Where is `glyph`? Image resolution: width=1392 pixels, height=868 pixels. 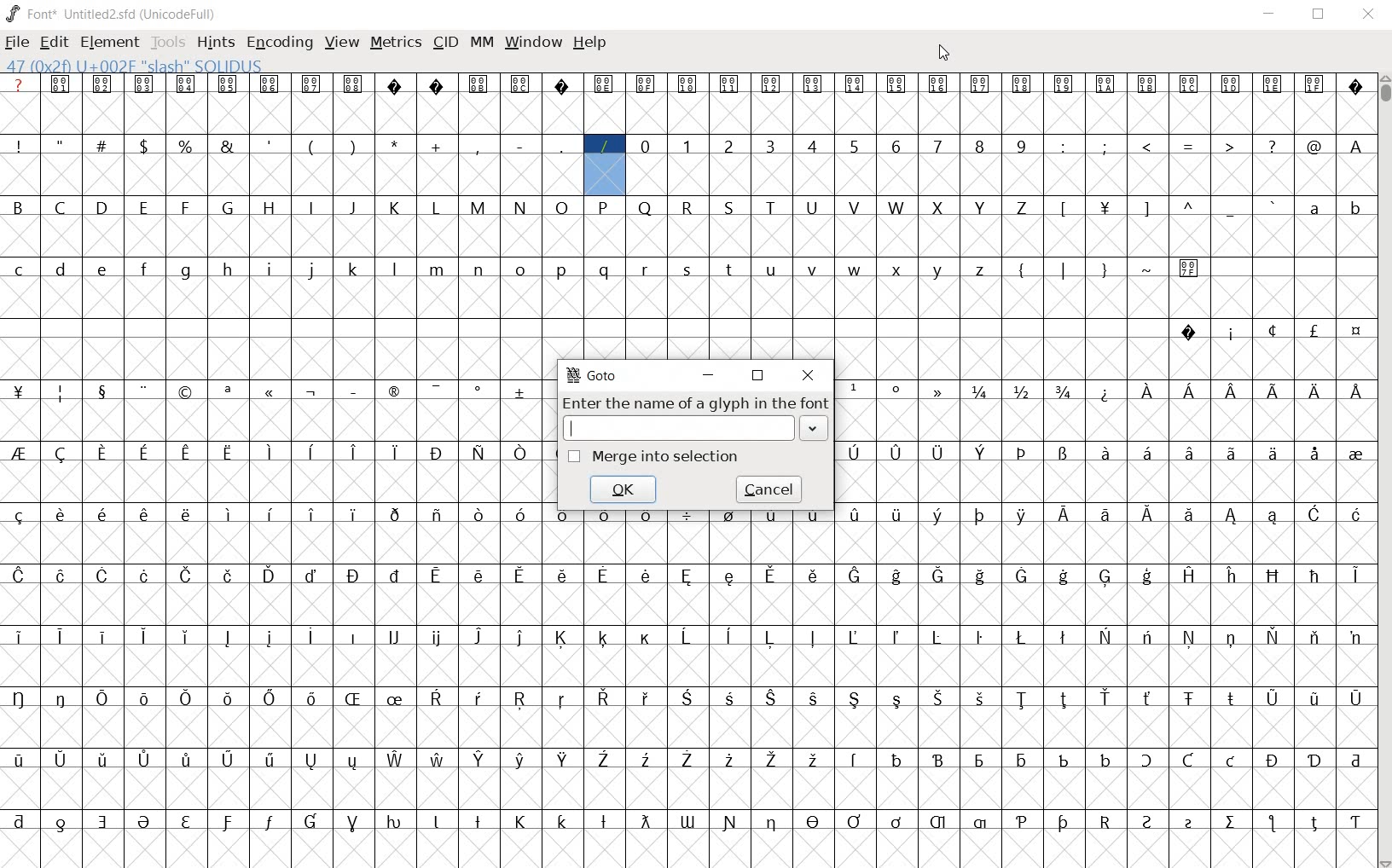
glyph is located at coordinates (646, 208).